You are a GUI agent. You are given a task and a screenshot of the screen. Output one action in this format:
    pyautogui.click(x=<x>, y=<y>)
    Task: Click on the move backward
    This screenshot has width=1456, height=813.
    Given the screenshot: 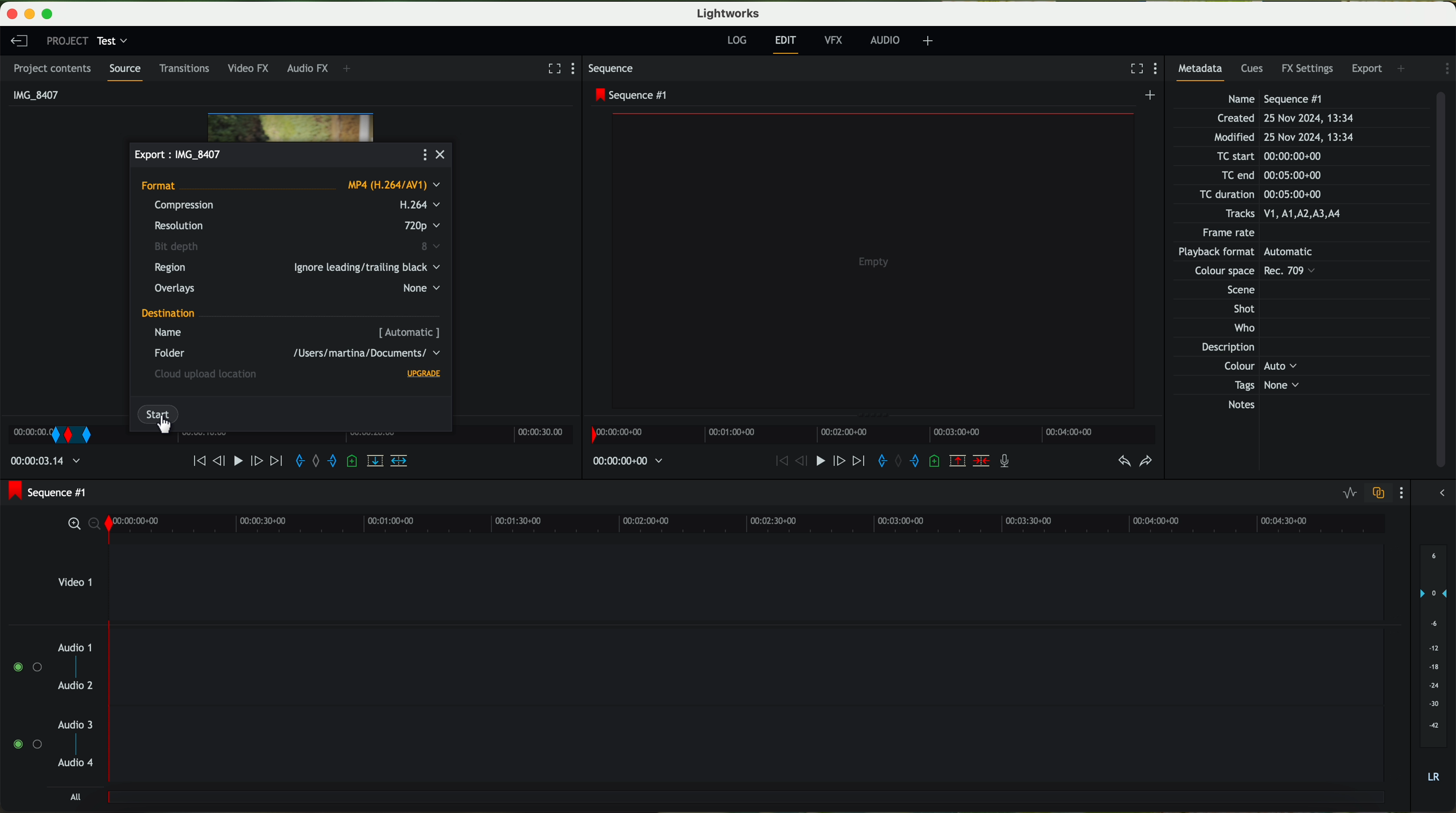 What is the action you would take?
    pyautogui.click(x=774, y=461)
    